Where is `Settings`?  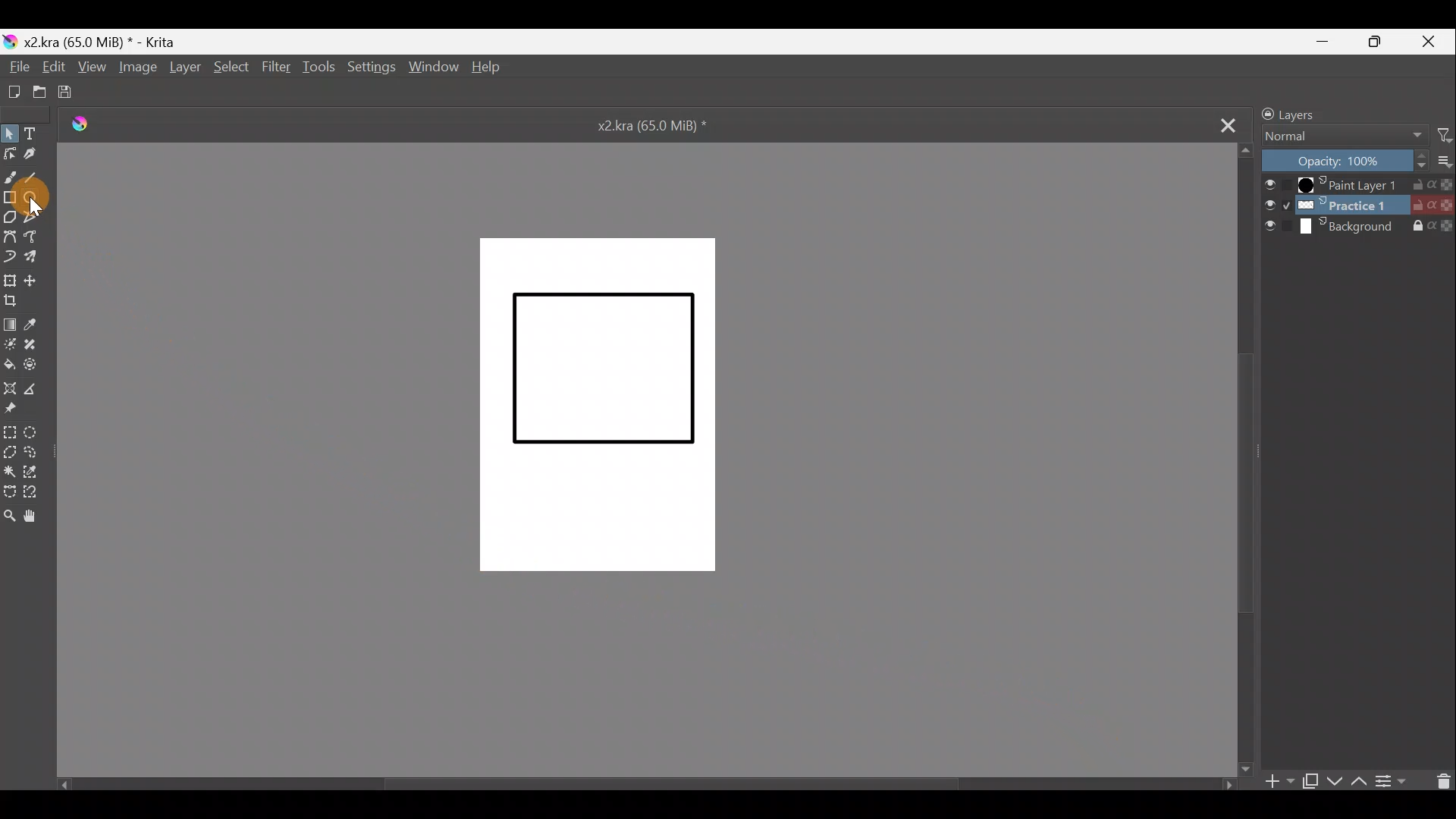
Settings is located at coordinates (372, 69).